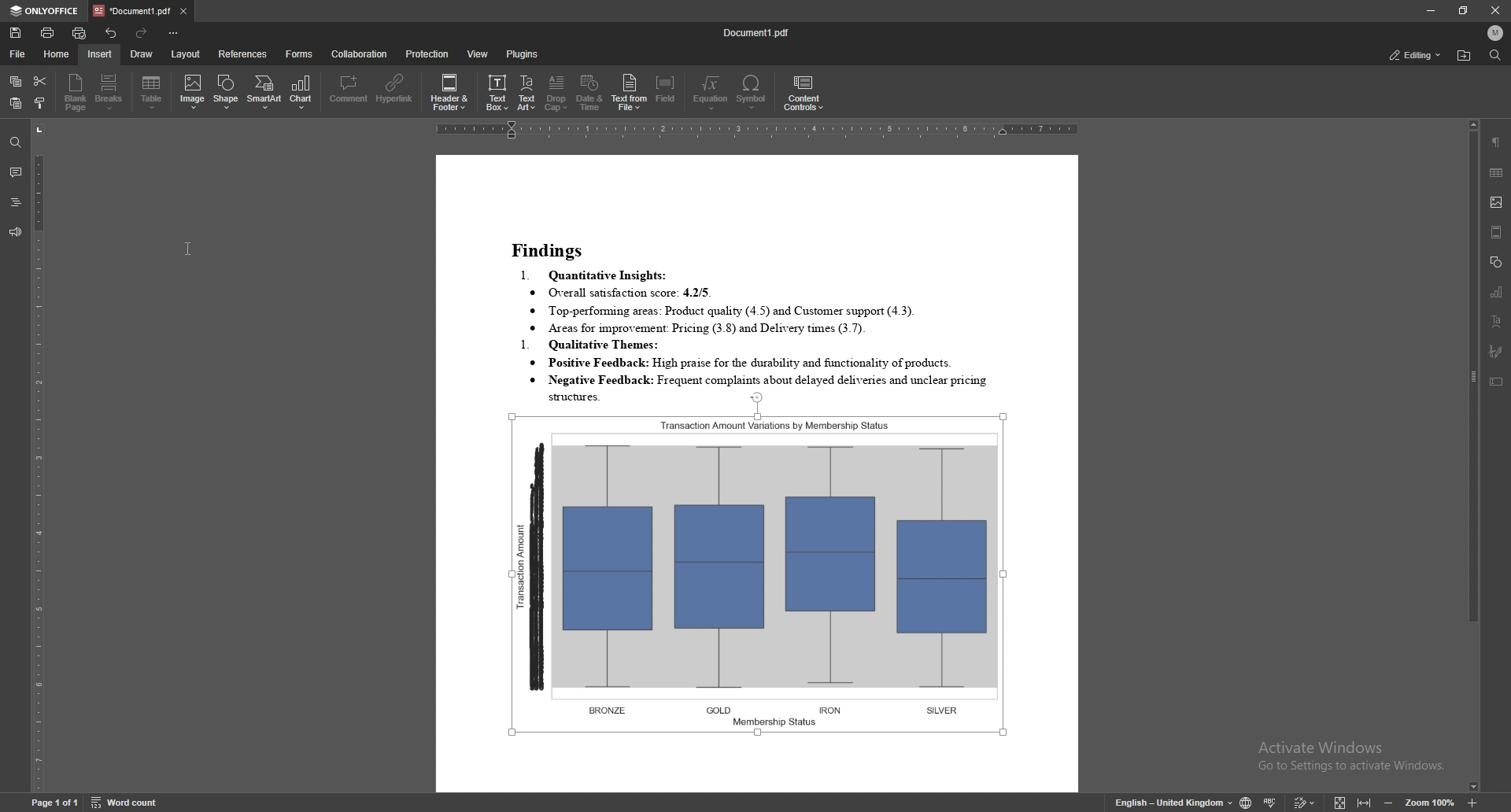  What do you see at coordinates (1365, 802) in the screenshot?
I see `fit to width` at bounding box center [1365, 802].